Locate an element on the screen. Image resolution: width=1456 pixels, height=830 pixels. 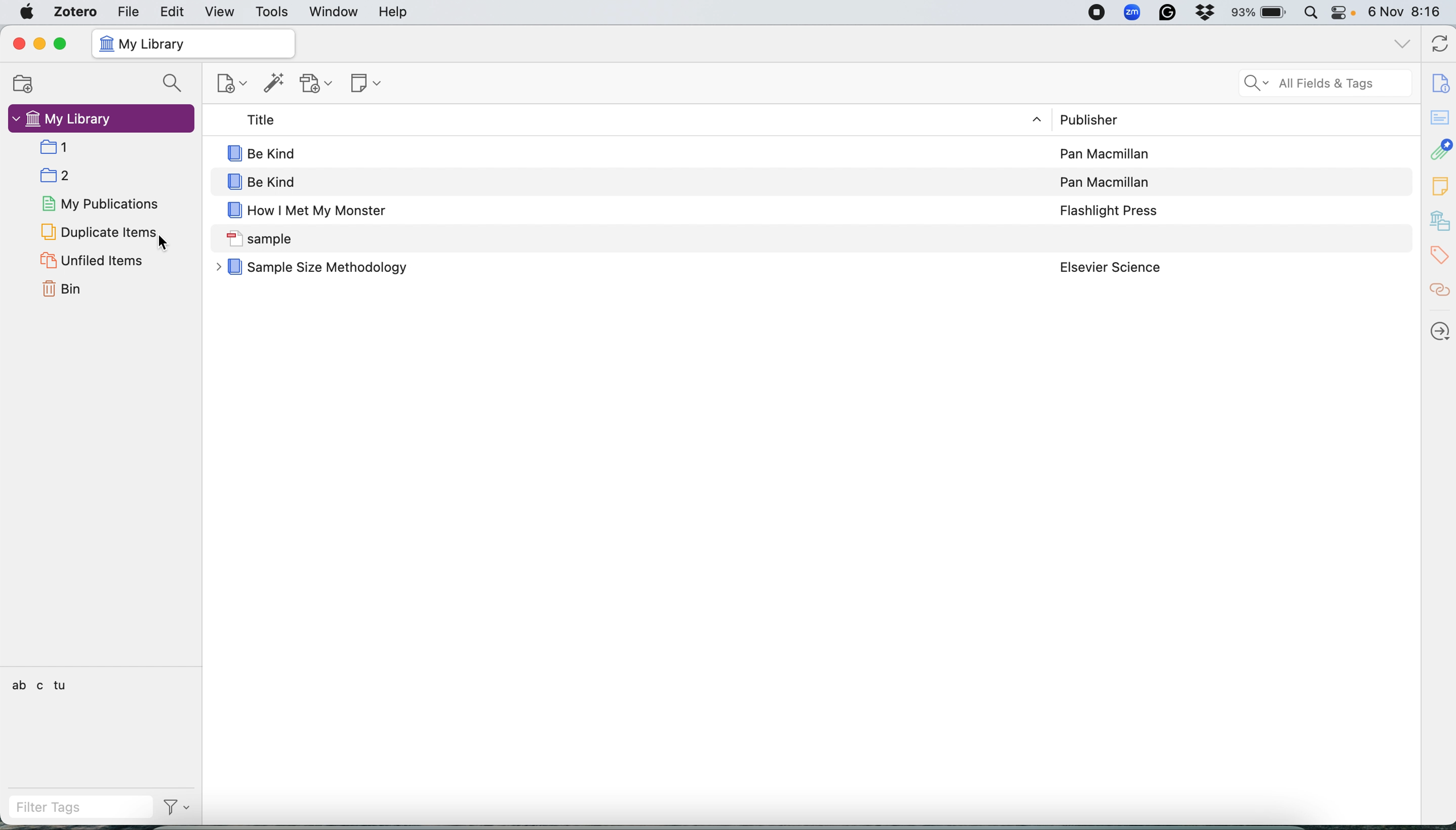
tools is located at coordinates (273, 11).